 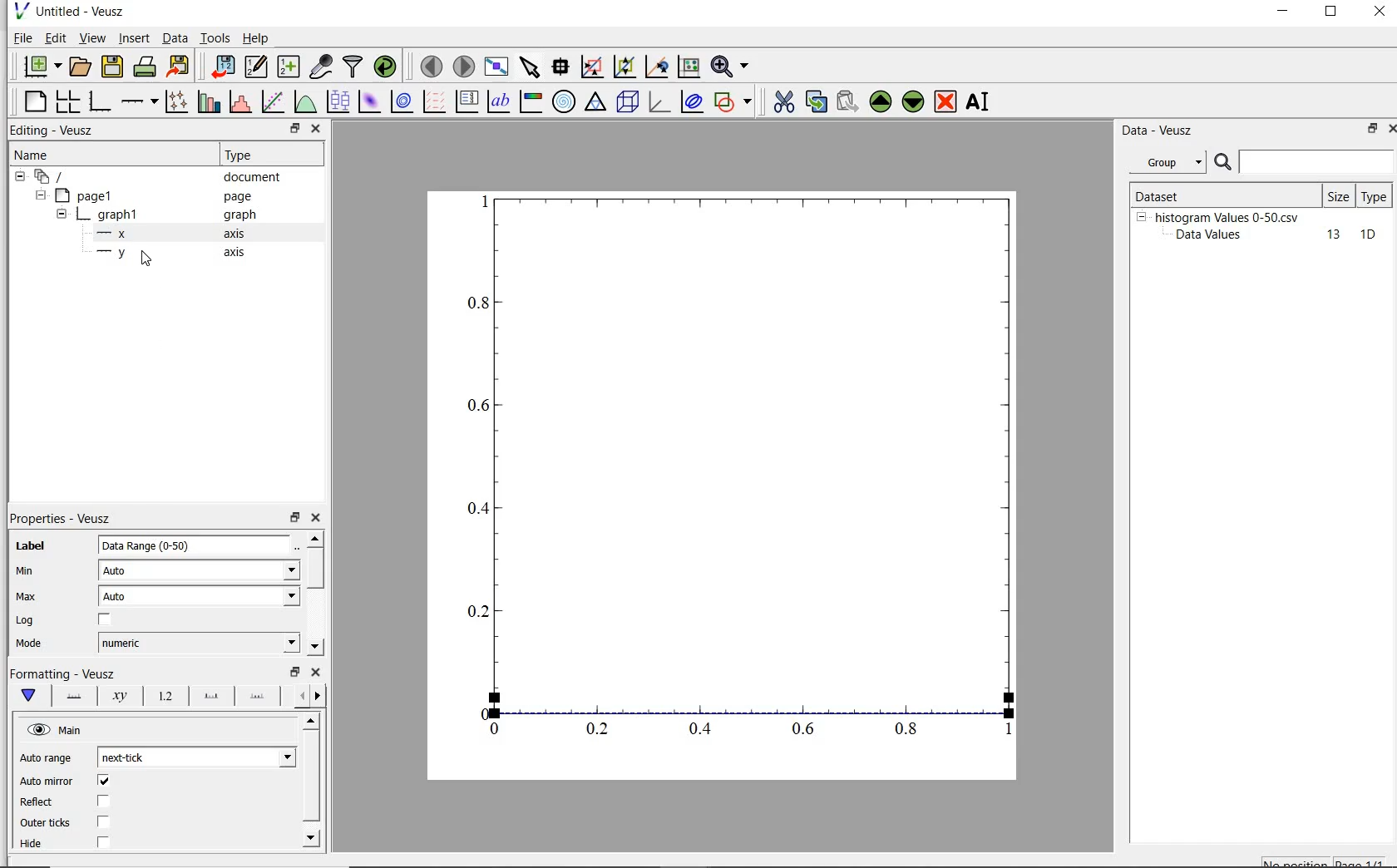 I want to click on Type, so click(x=268, y=155).